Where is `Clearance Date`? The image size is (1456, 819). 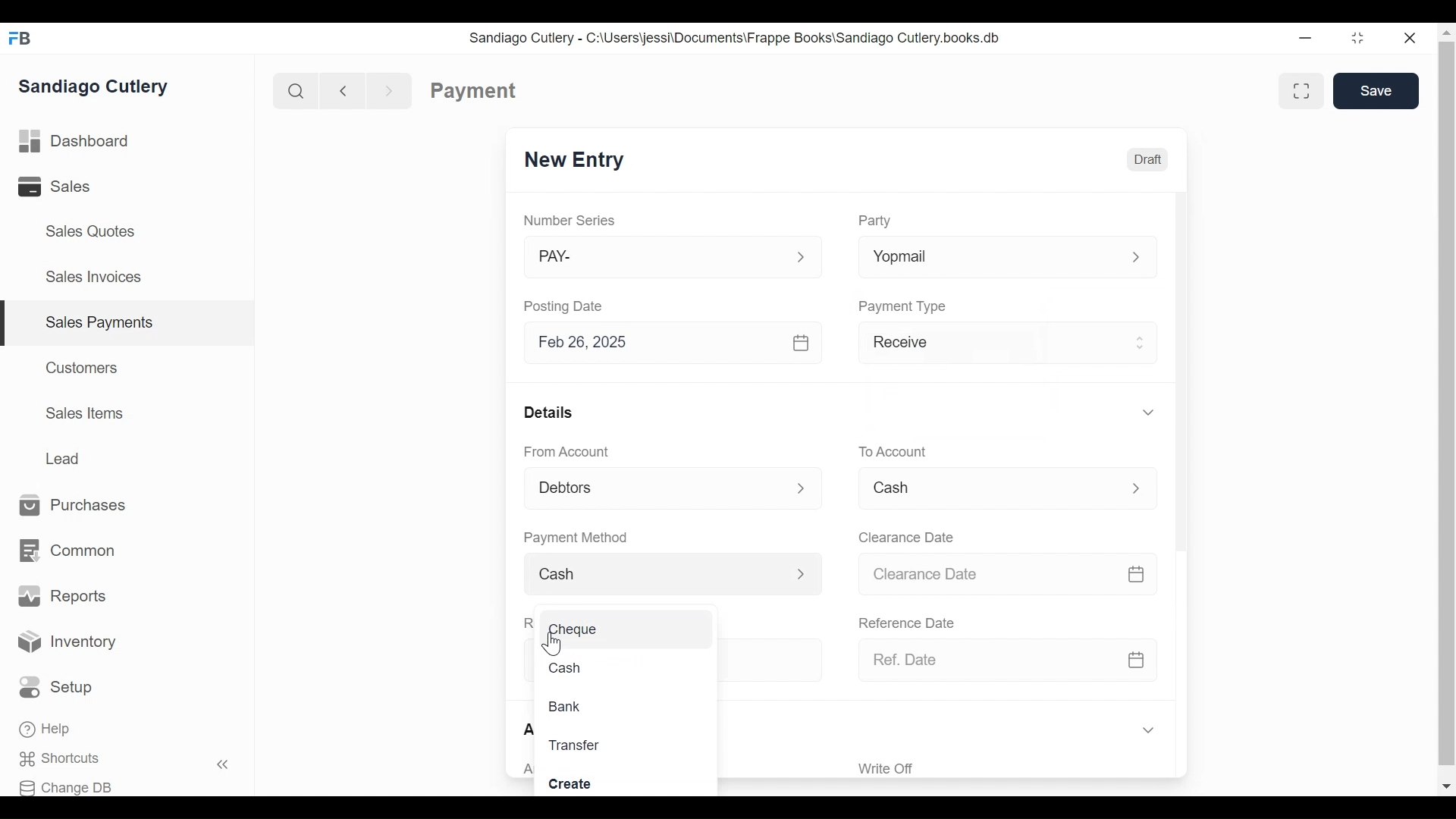
Clearance Date is located at coordinates (908, 538).